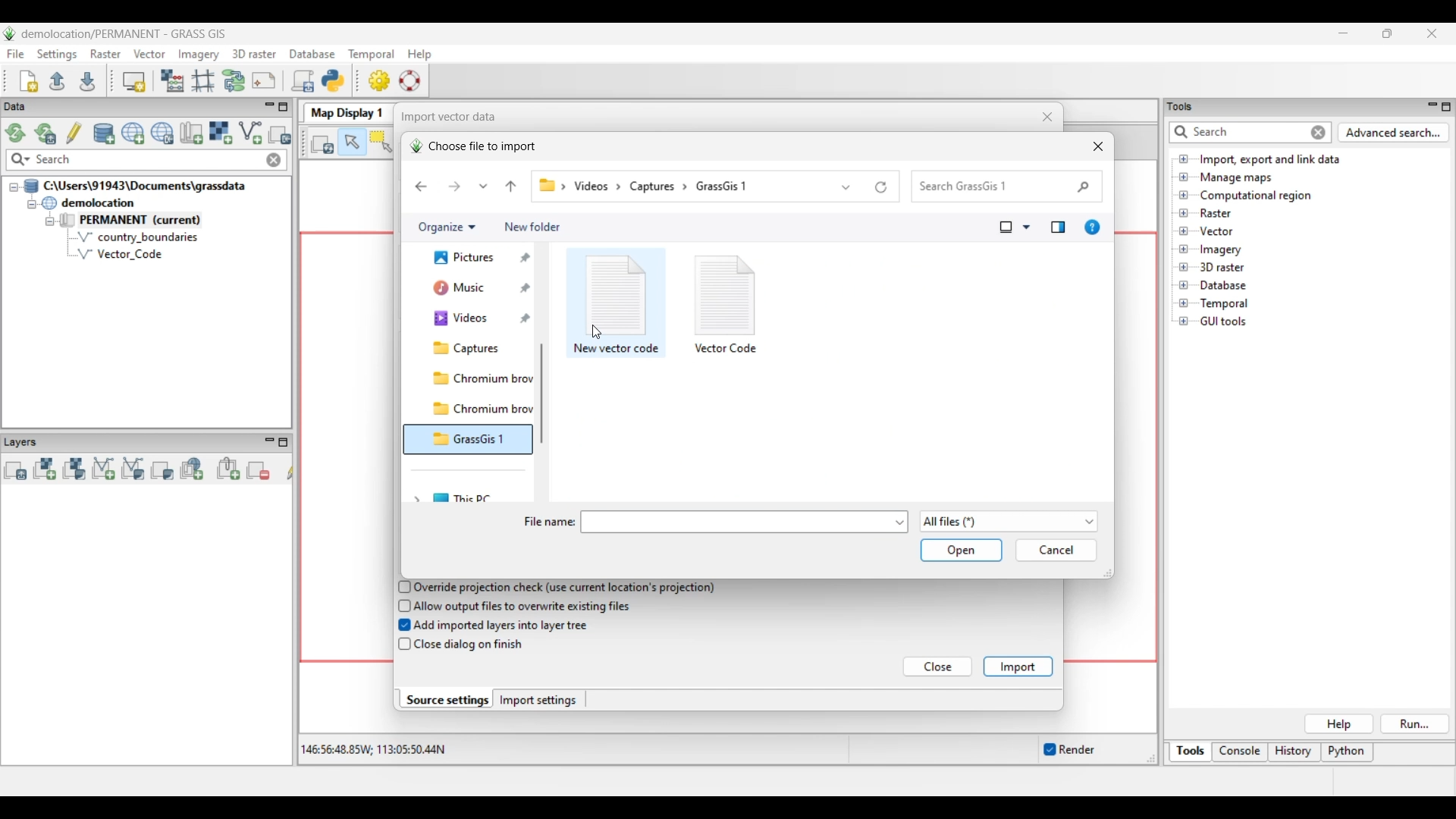  What do you see at coordinates (1007, 187) in the screenshot?
I see `Quick search folder` at bounding box center [1007, 187].